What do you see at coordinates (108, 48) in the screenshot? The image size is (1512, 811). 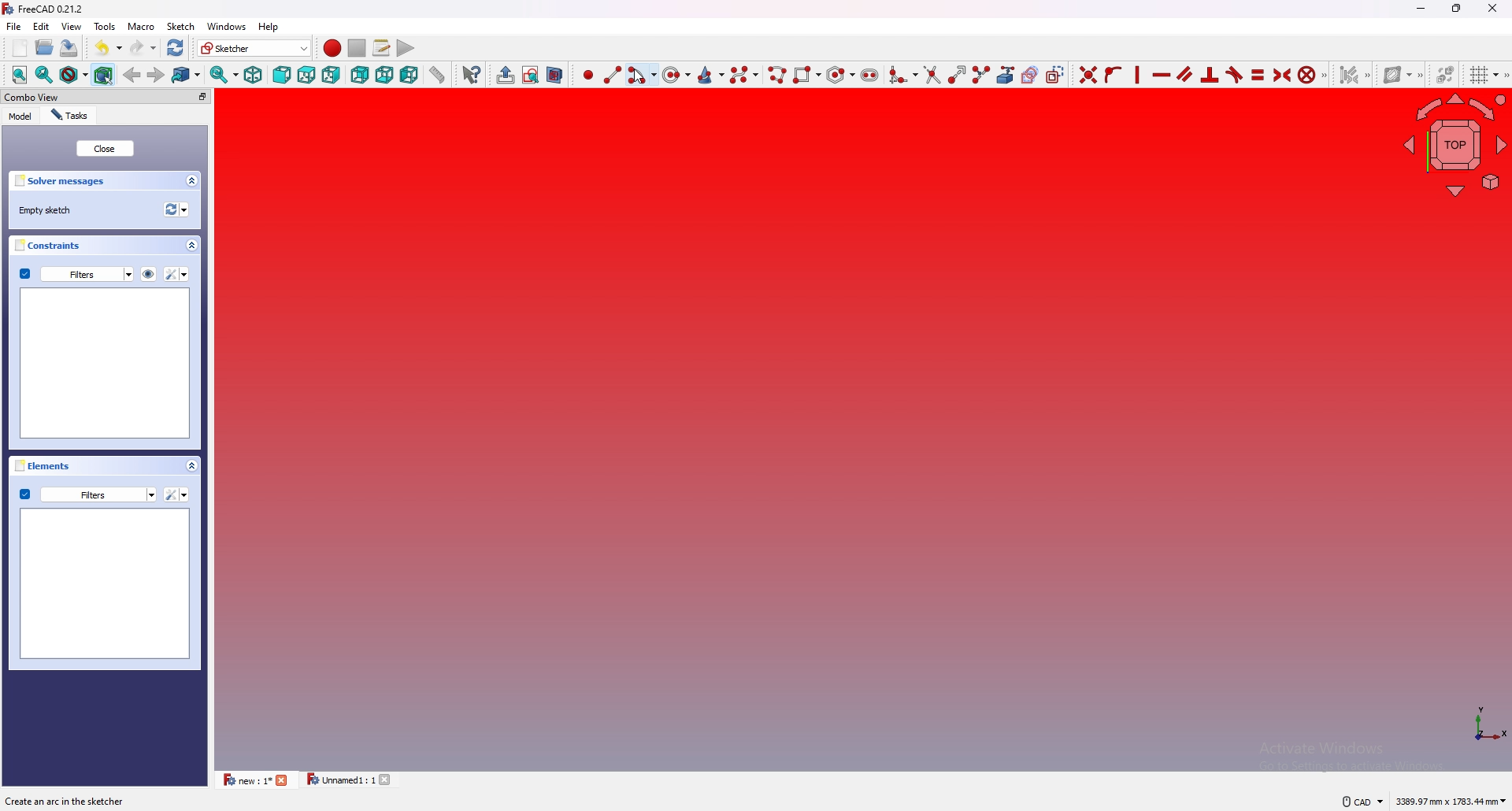 I see `undo` at bounding box center [108, 48].